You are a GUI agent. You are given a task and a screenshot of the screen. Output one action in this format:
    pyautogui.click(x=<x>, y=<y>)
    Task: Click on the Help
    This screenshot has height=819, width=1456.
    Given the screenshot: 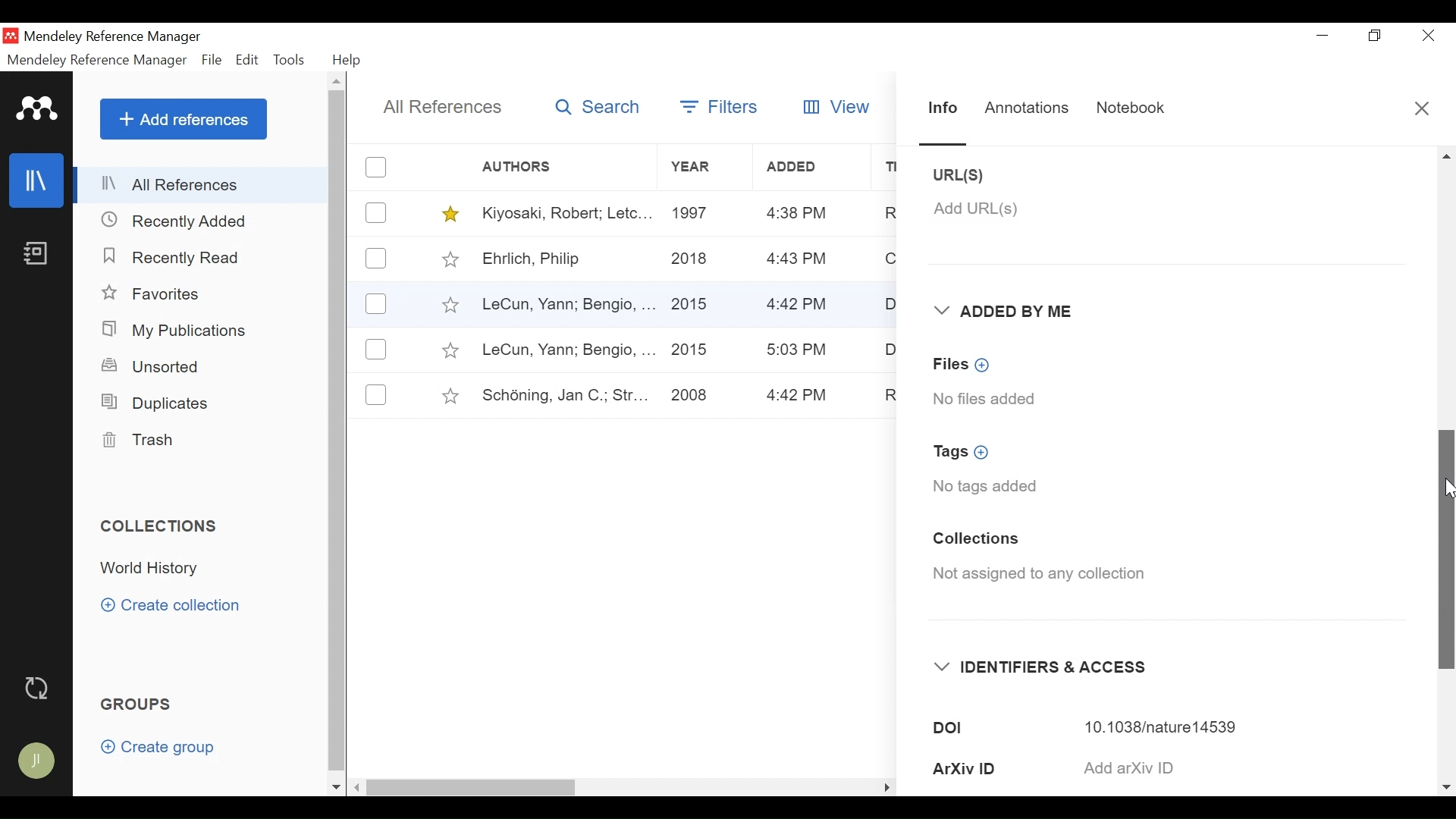 What is the action you would take?
    pyautogui.click(x=348, y=60)
    